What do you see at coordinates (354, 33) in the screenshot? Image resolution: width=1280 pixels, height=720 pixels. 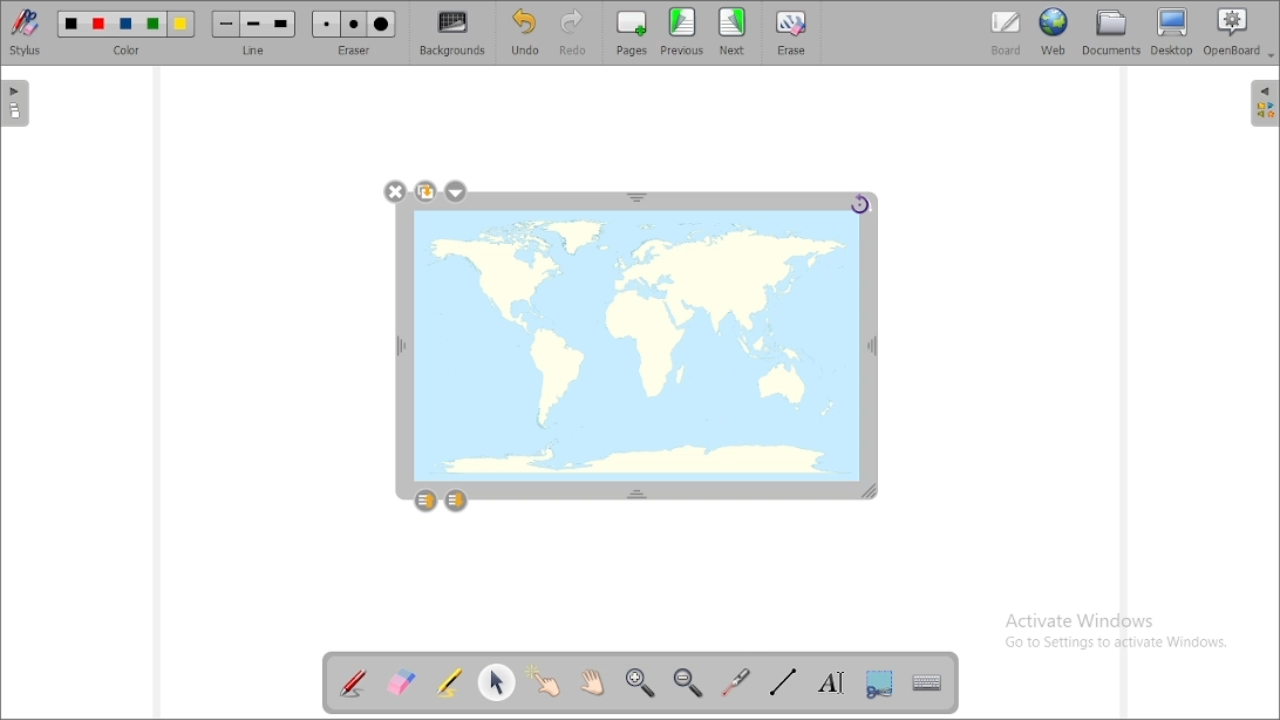 I see `eraser` at bounding box center [354, 33].